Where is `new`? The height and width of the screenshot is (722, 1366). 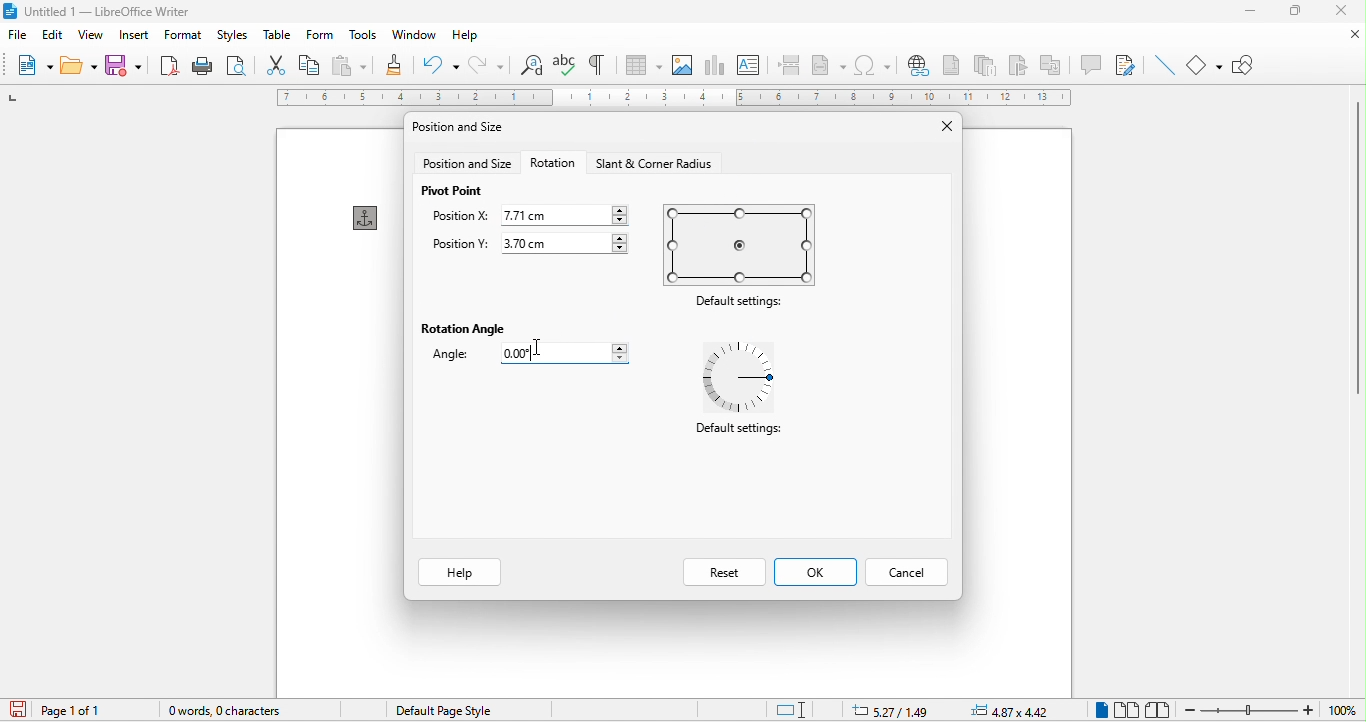
new is located at coordinates (34, 67).